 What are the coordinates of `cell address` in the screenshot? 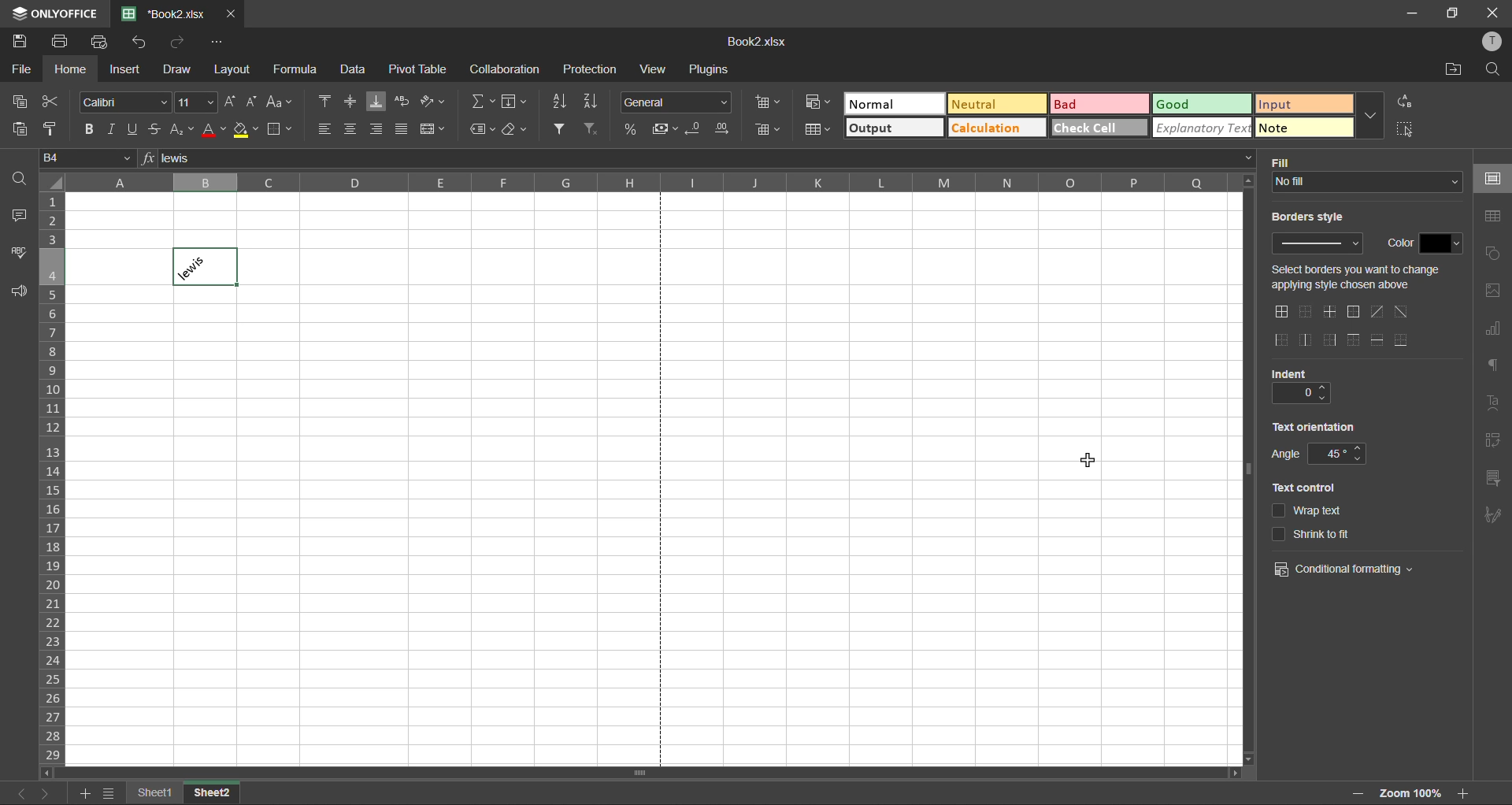 It's located at (87, 159).